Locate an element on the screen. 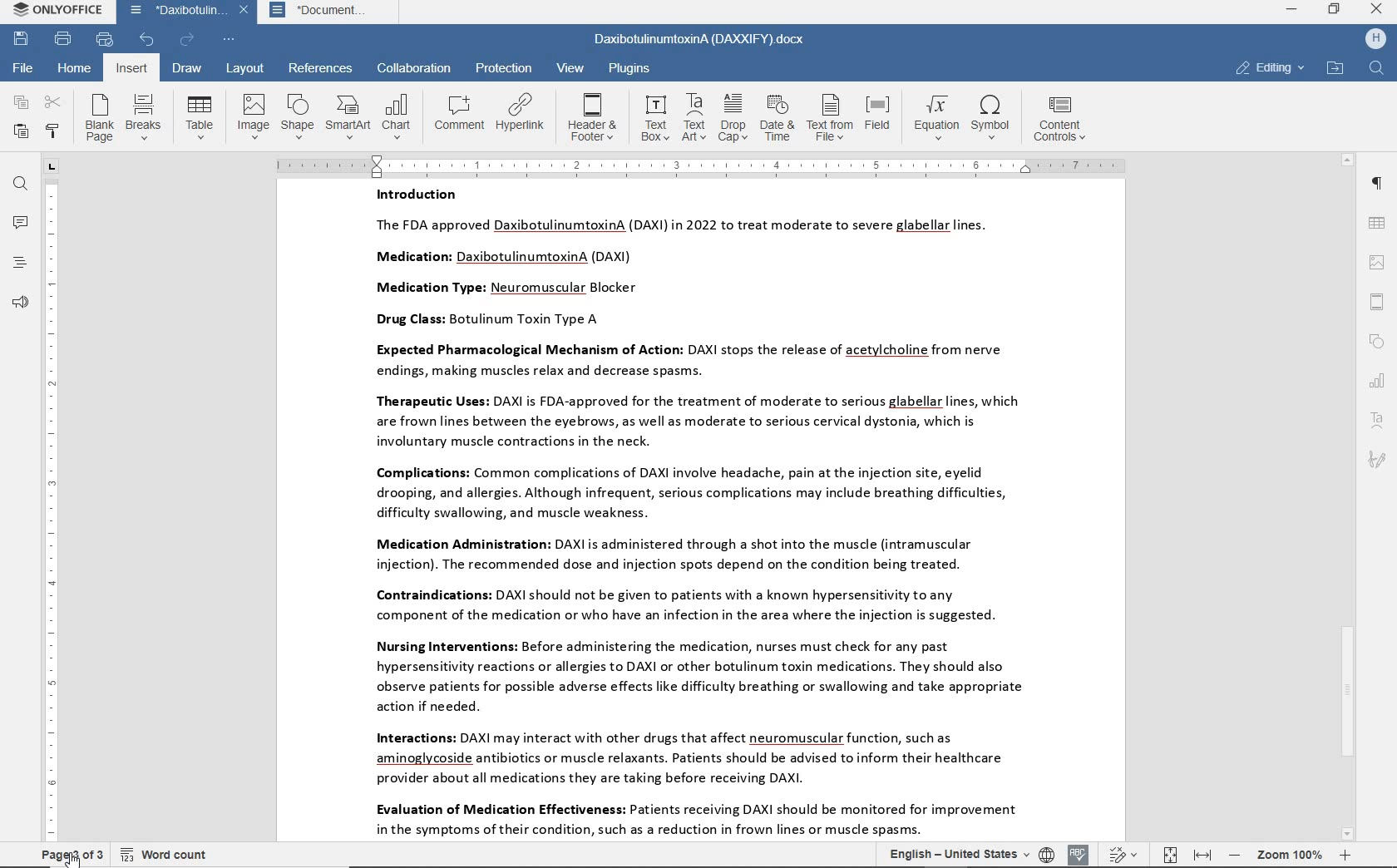 The height and width of the screenshot is (868, 1397). Cursor is located at coordinates (72, 857).